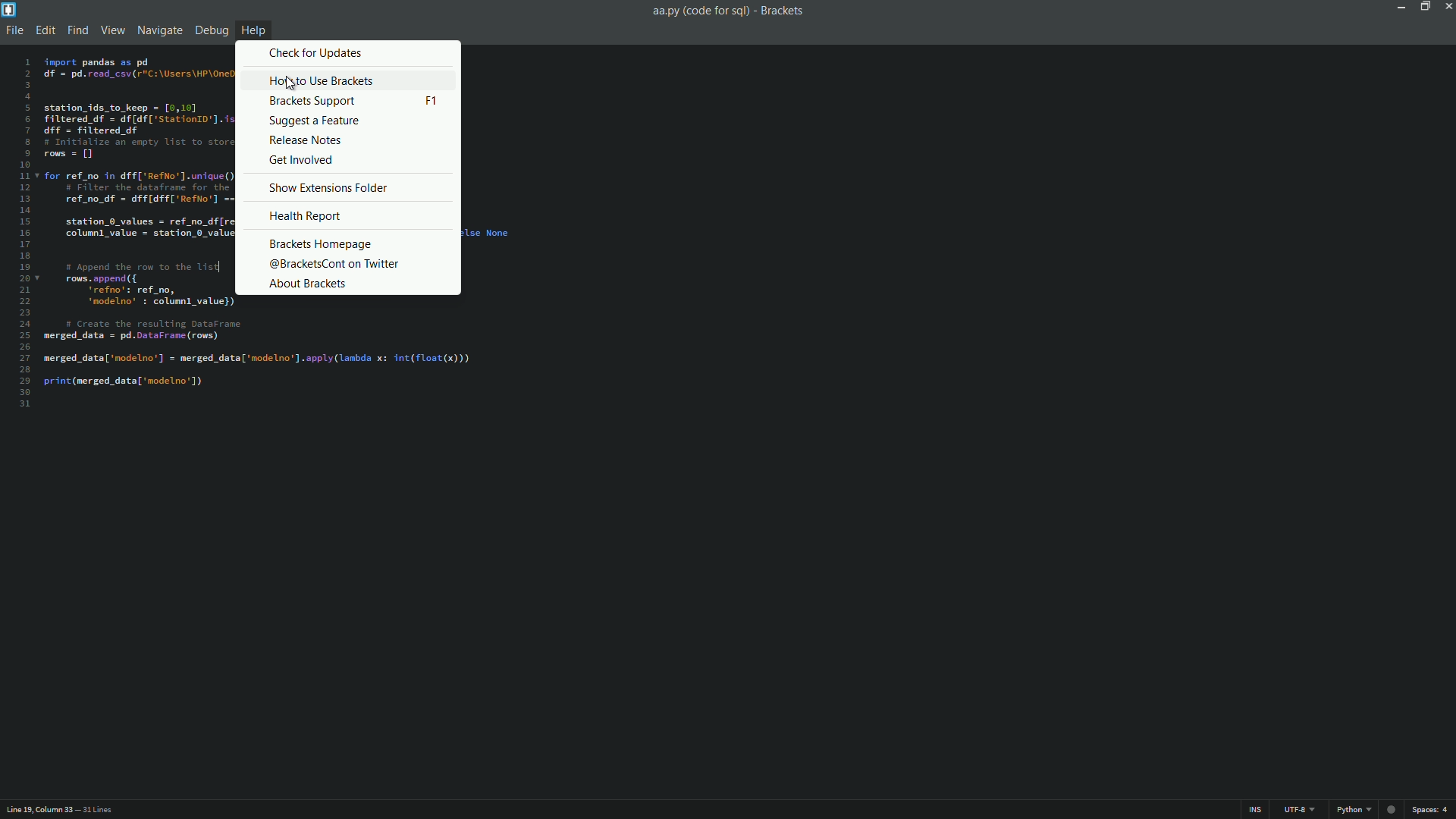 Image resolution: width=1456 pixels, height=819 pixels. Describe the element at coordinates (311, 285) in the screenshot. I see `about brackets` at that location.